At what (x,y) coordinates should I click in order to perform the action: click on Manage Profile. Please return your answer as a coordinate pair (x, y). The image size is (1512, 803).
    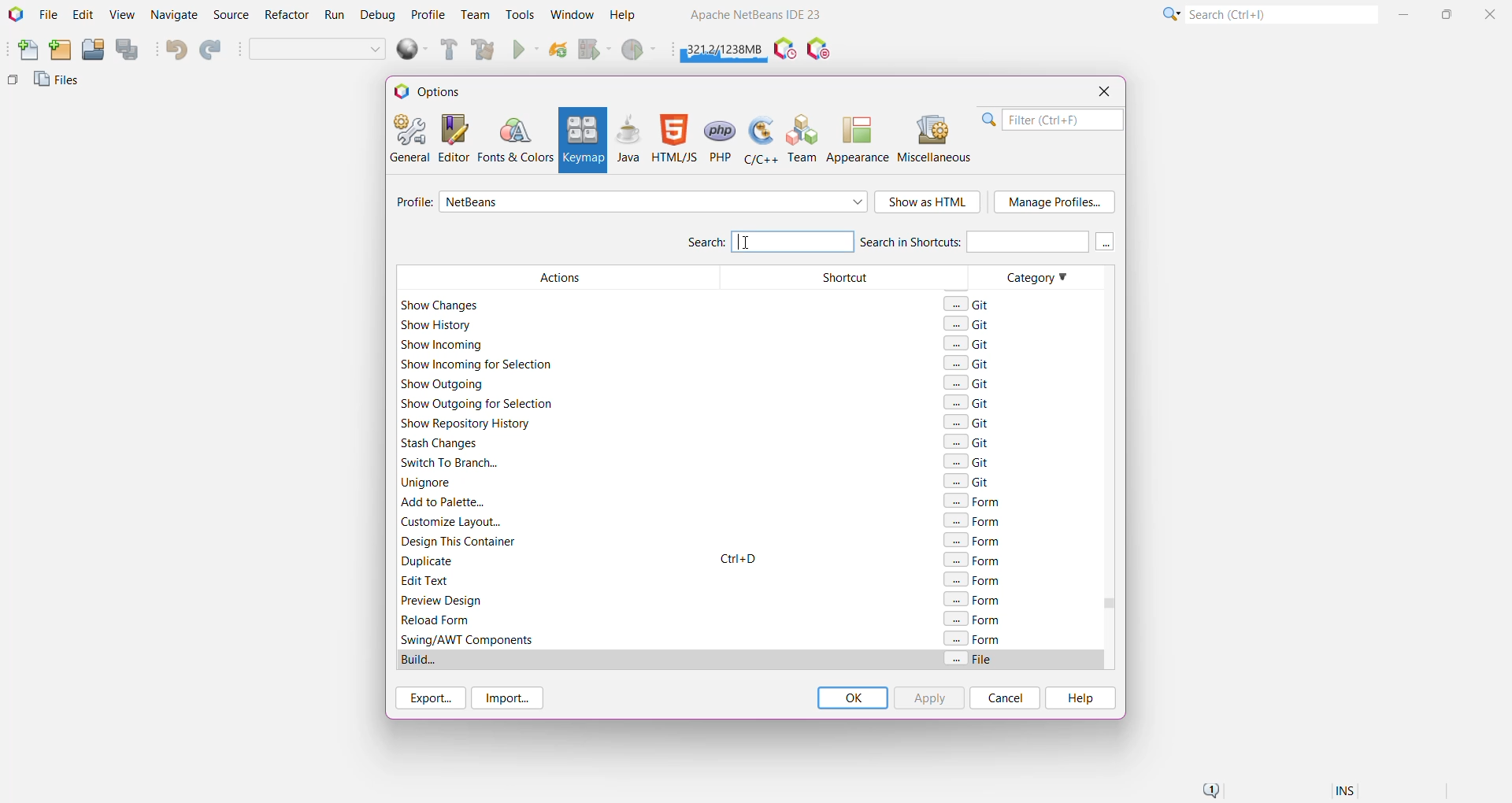
    Looking at the image, I should click on (1054, 202).